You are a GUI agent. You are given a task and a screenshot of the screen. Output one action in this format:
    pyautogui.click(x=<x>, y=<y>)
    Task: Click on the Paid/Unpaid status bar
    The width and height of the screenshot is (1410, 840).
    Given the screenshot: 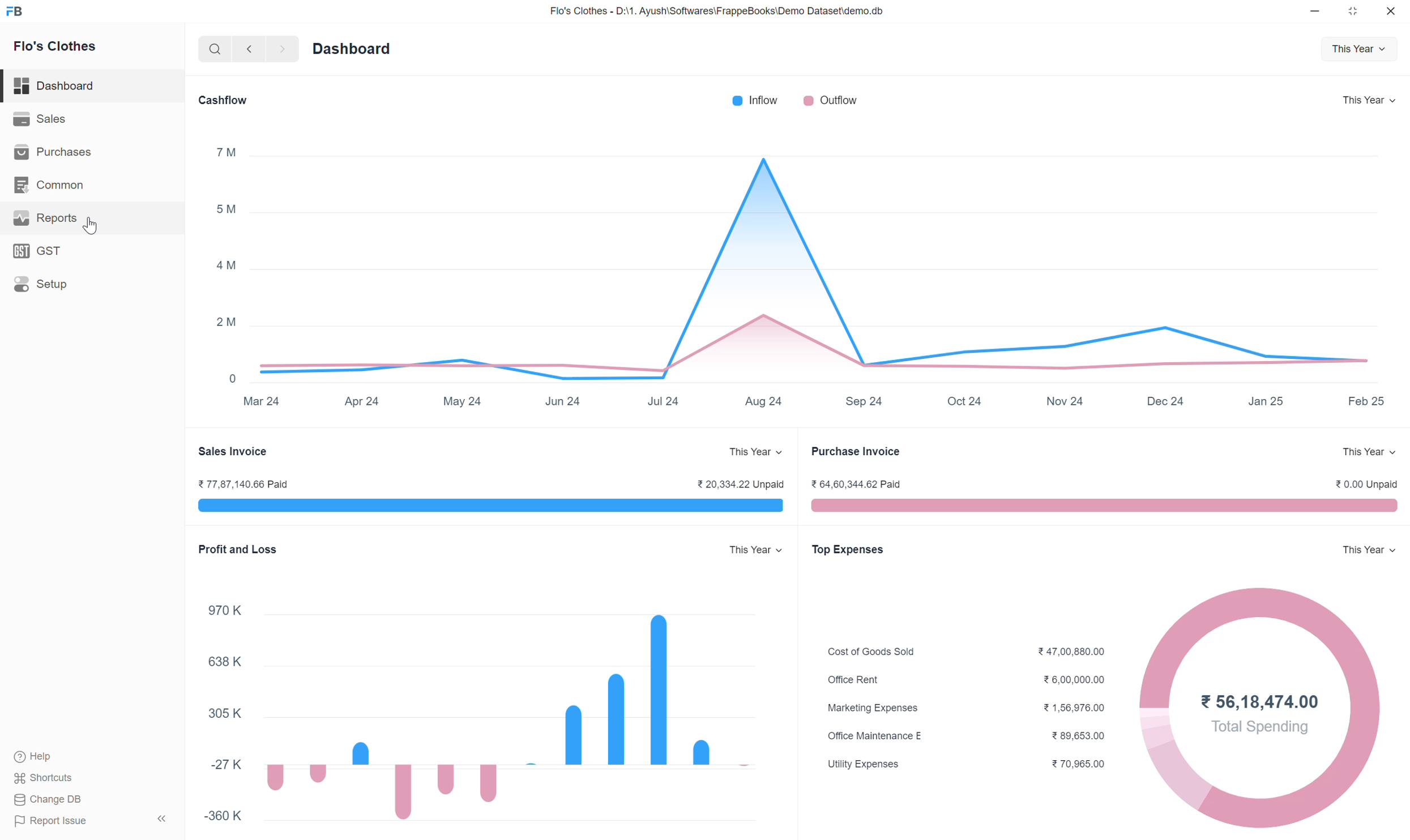 What is the action you would take?
    pyautogui.click(x=1110, y=508)
    